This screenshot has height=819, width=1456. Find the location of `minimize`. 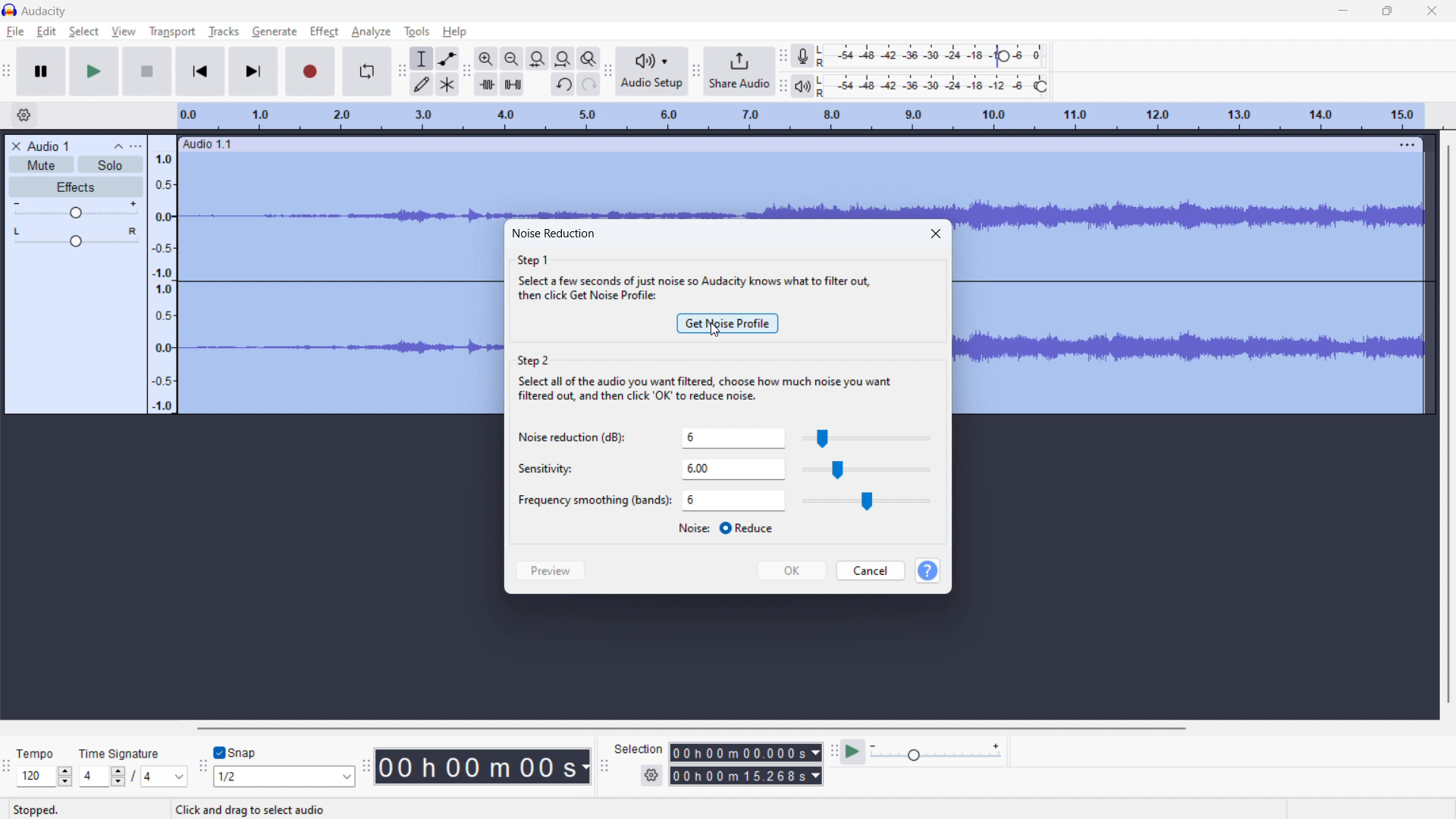

minimize is located at coordinates (1344, 13).